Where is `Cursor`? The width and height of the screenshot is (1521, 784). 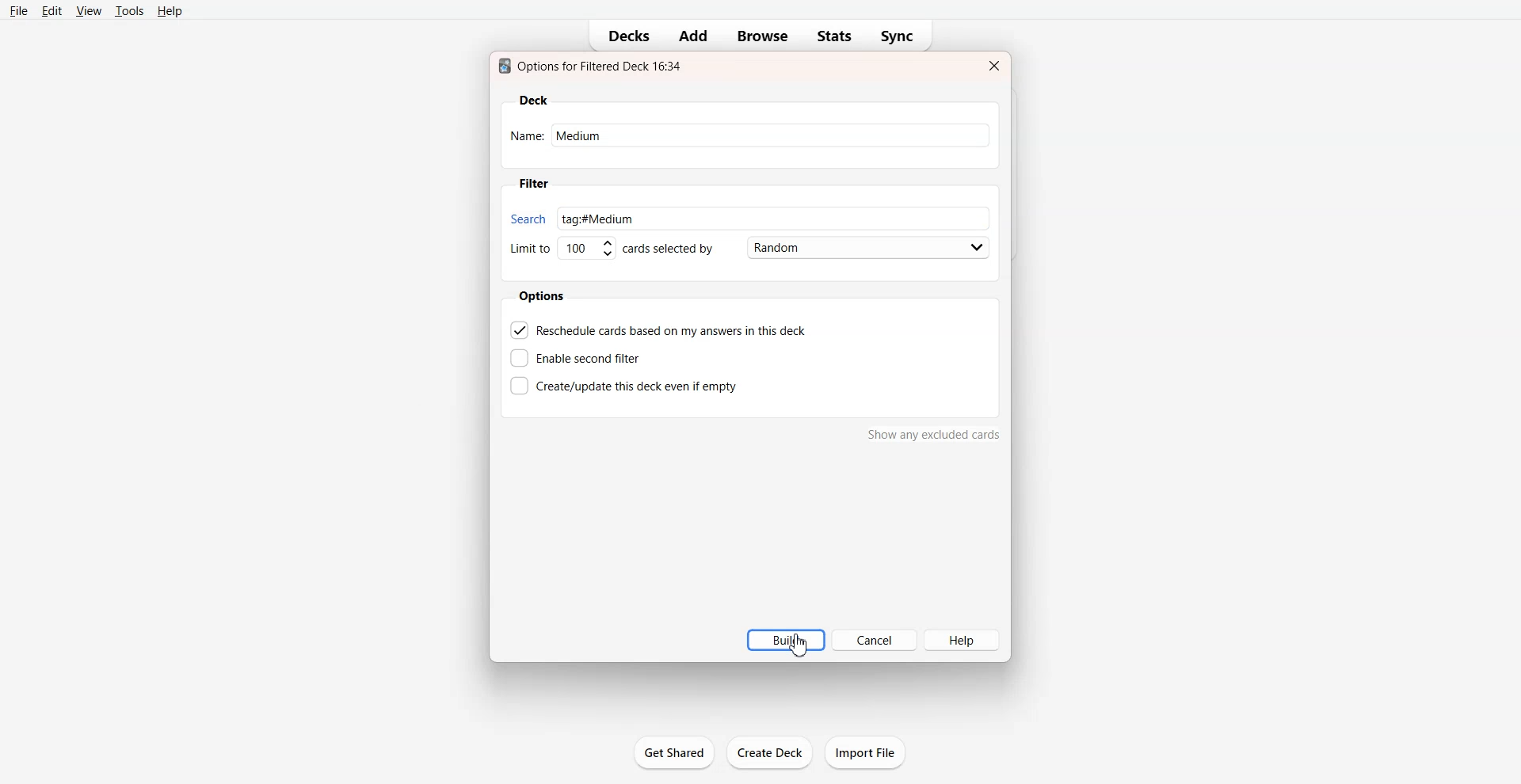 Cursor is located at coordinates (798, 645).